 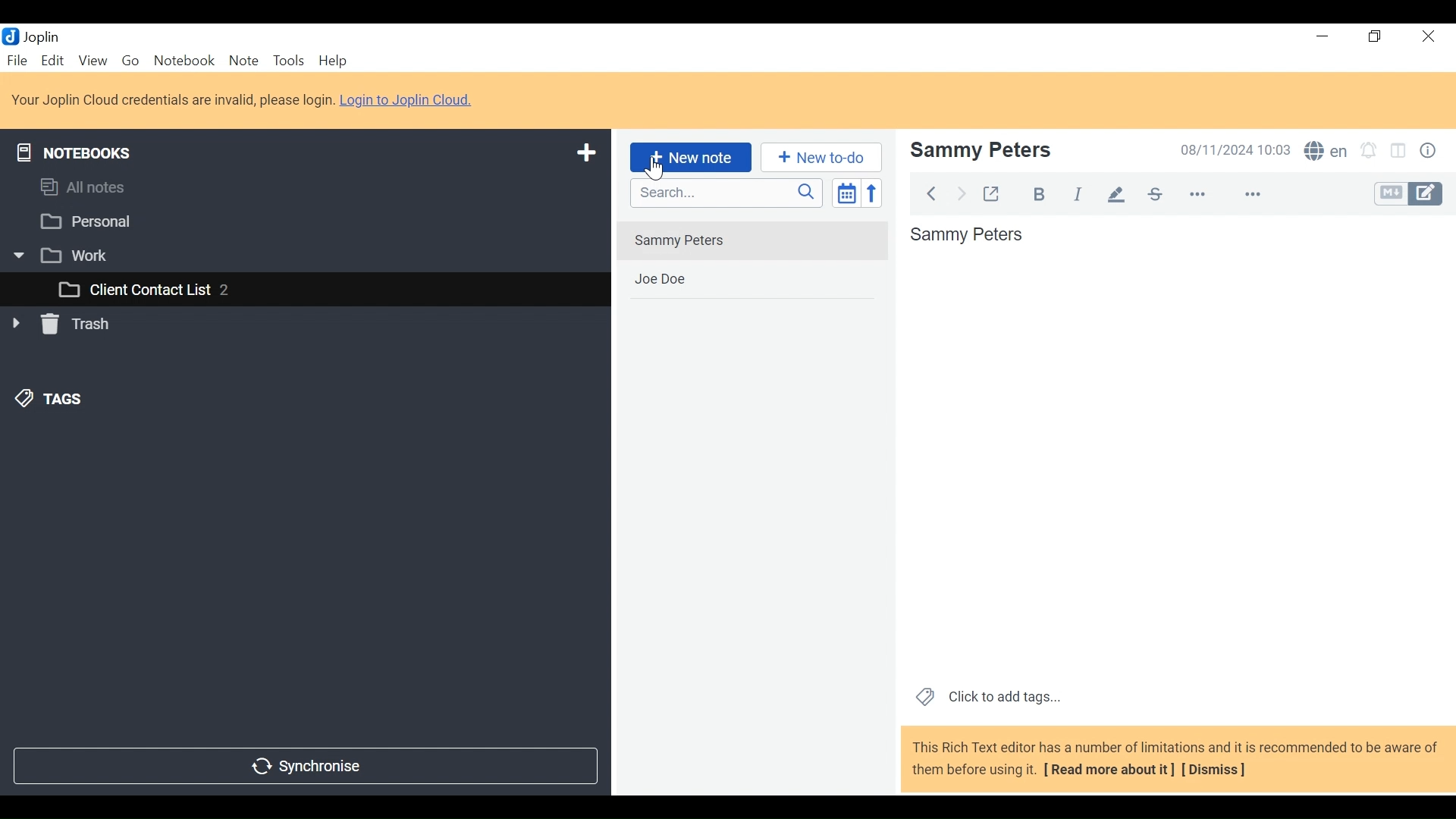 What do you see at coordinates (243, 61) in the screenshot?
I see `Note` at bounding box center [243, 61].